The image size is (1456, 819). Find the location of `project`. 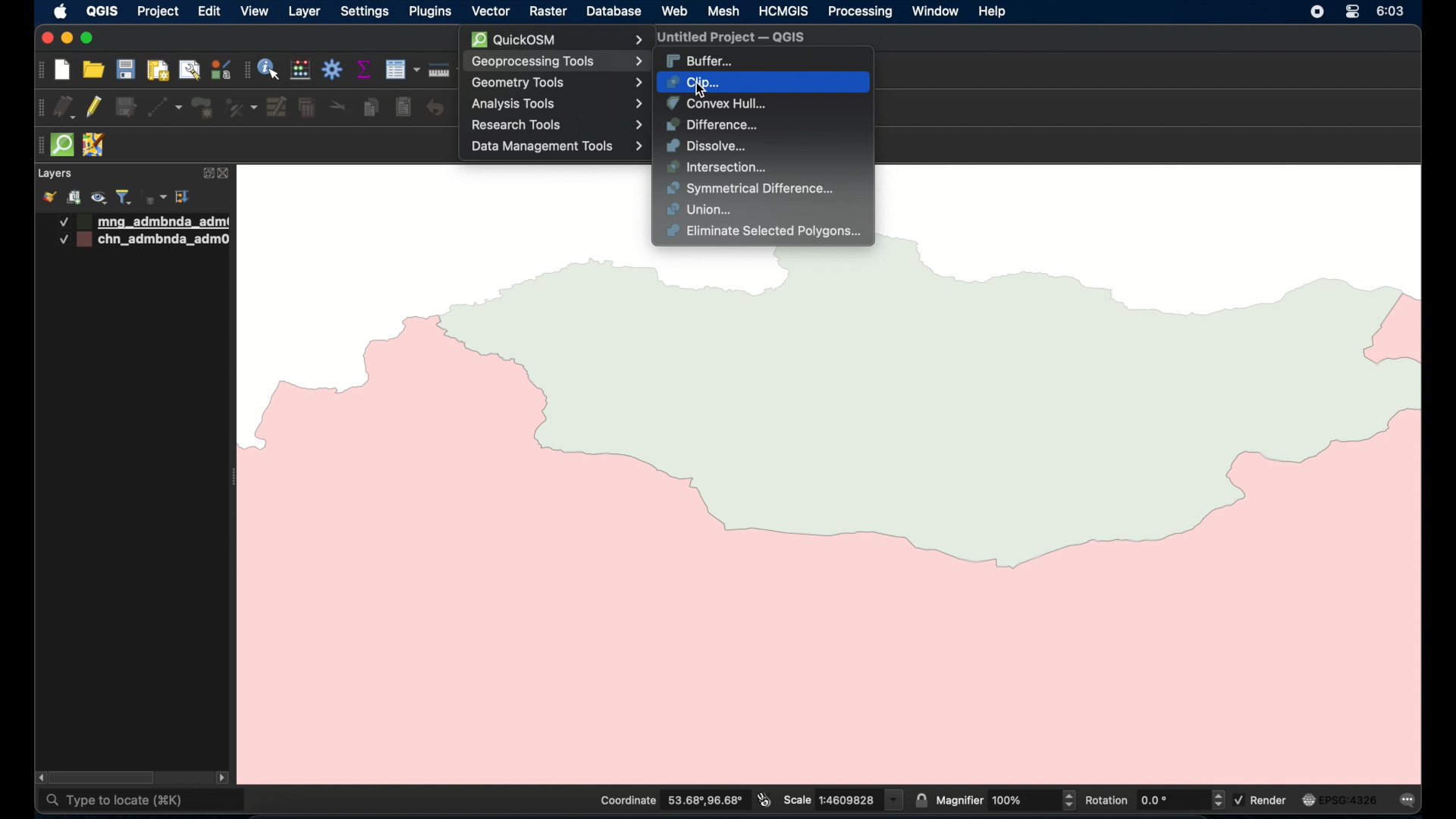

project is located at coordinates (157, 13).